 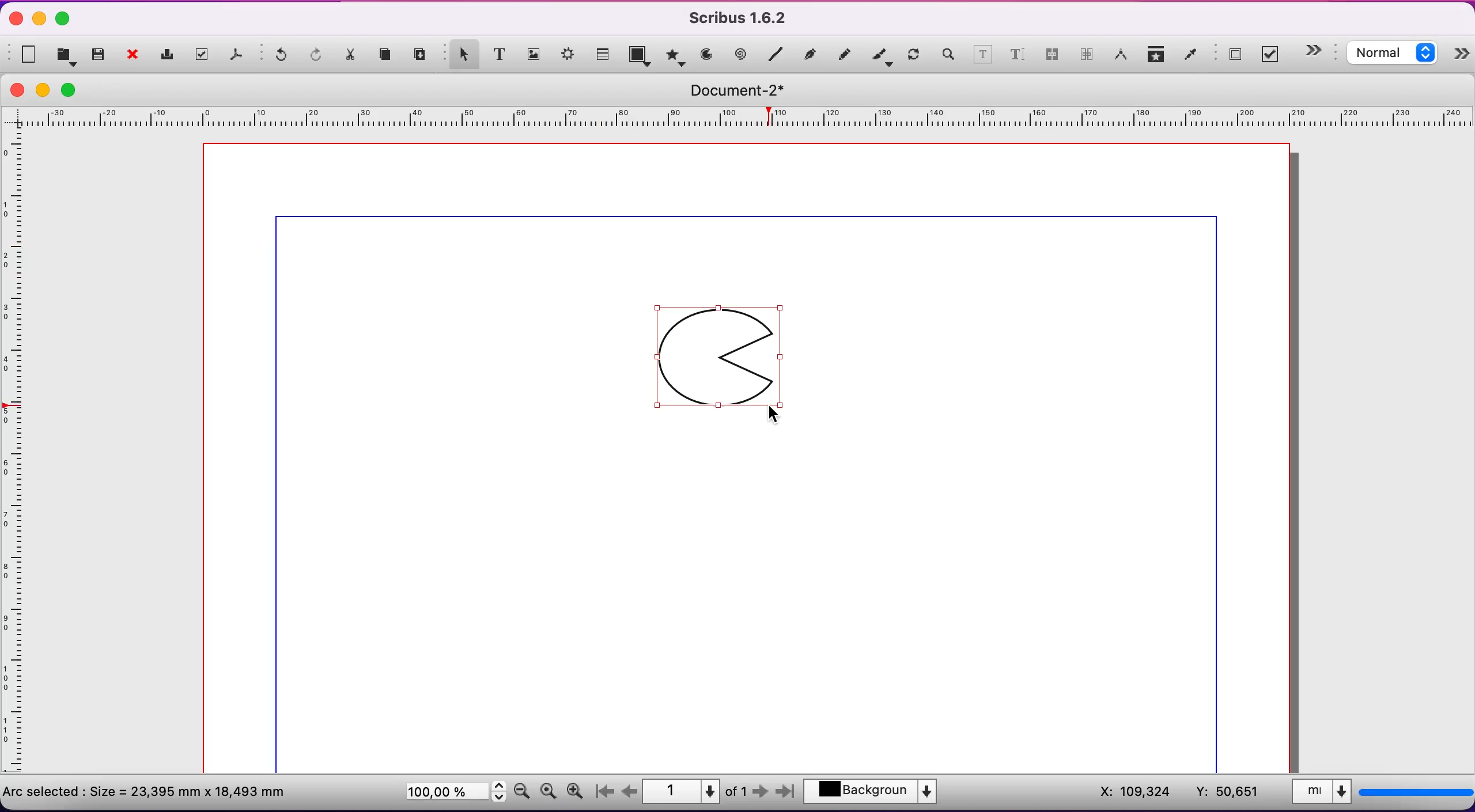 I want to click on rotate an item, so click(x=914, y=56).